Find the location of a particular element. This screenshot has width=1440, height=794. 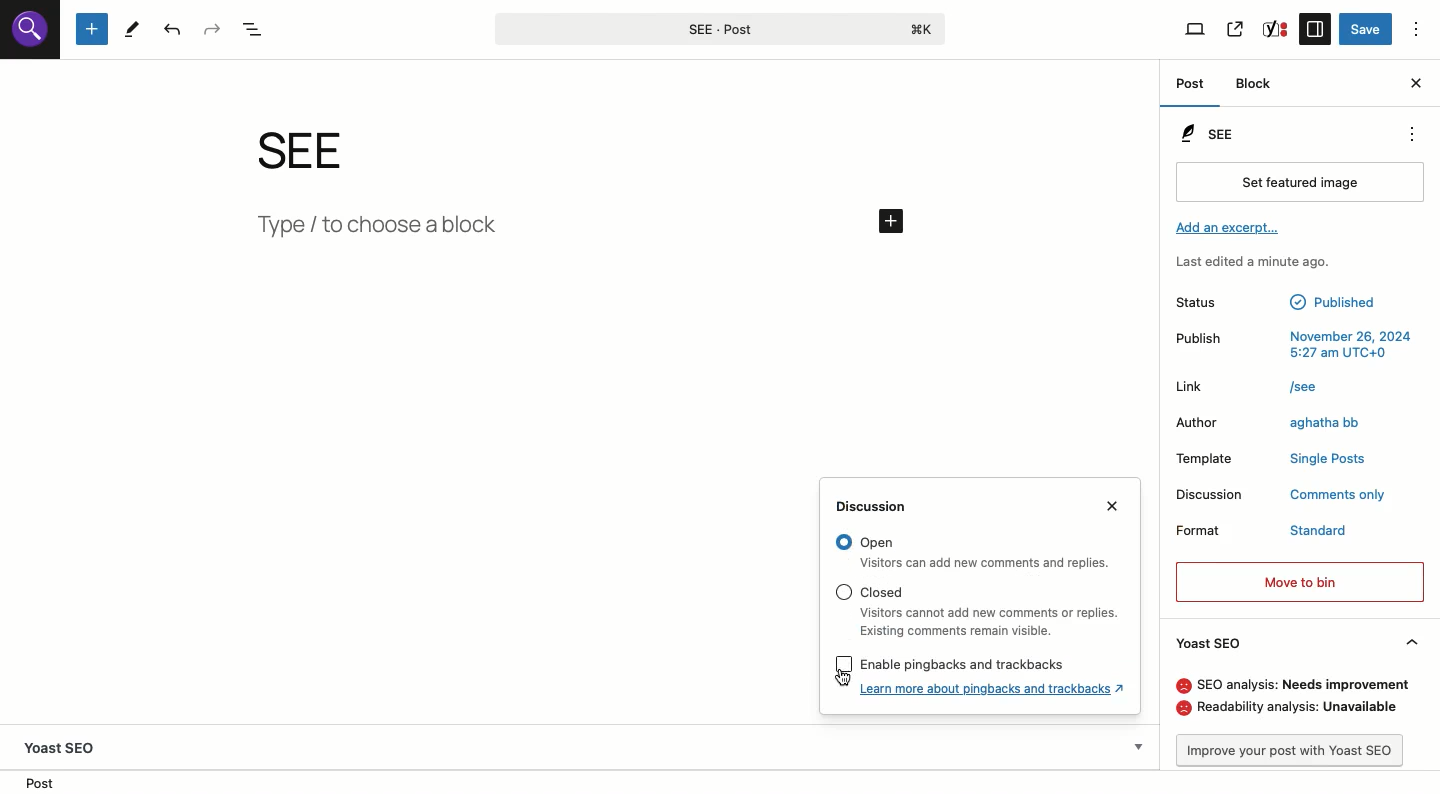

Hide is located at coordinates (1413, 642).